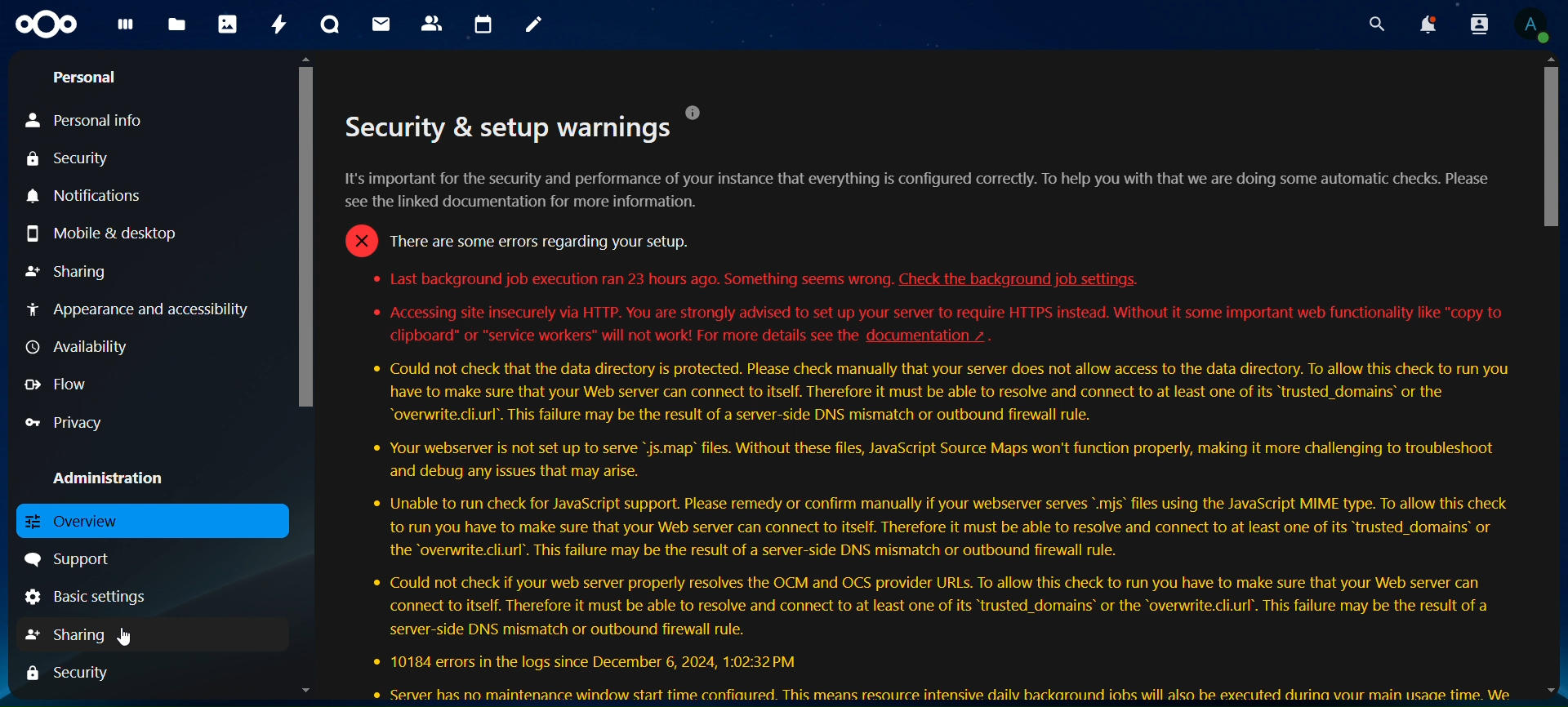 This screenshot has width=1568, height=707. I want to click on security, so click(77, 673).